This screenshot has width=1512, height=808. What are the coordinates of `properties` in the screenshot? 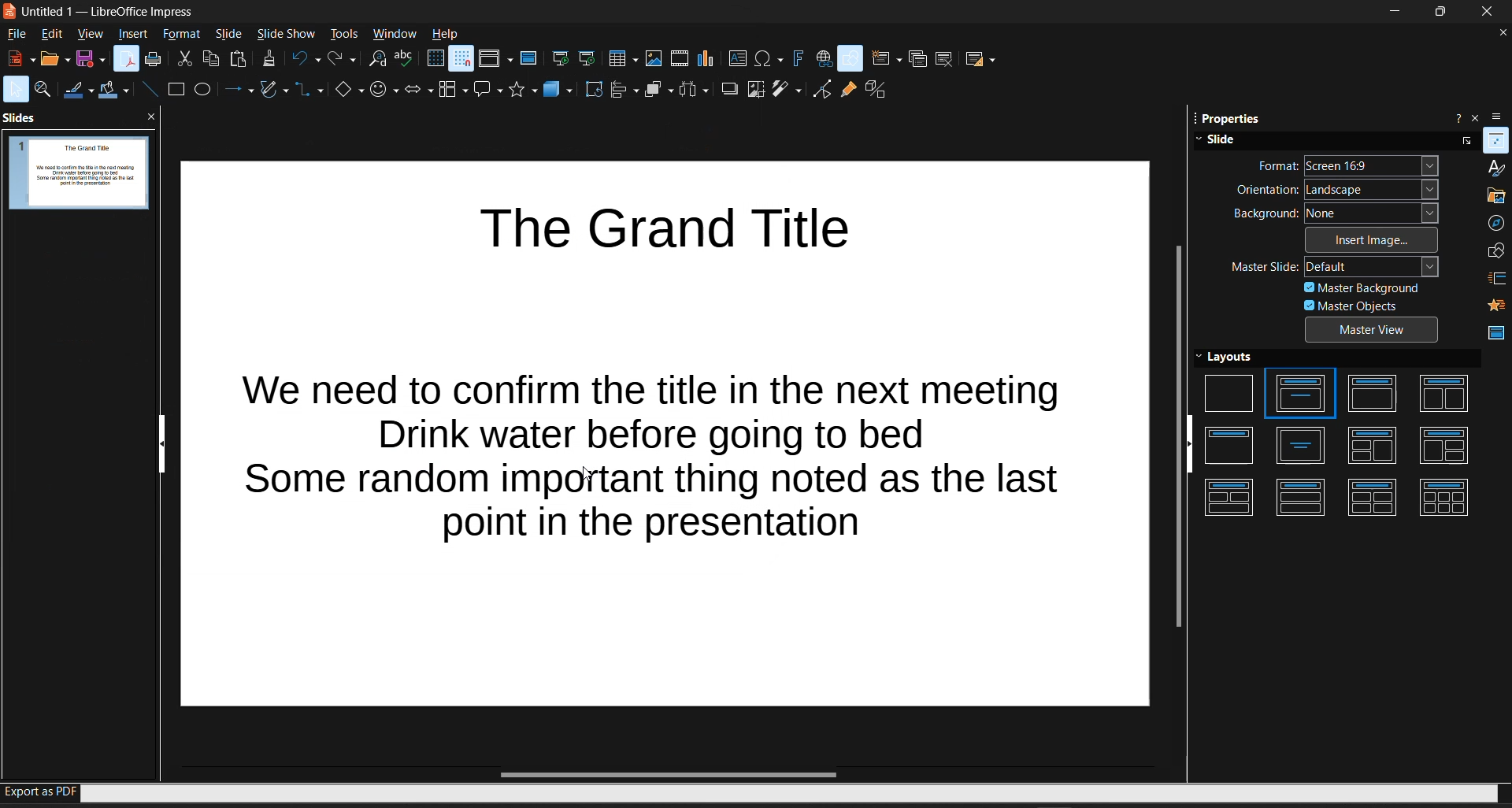 It's located at (1229, 119).